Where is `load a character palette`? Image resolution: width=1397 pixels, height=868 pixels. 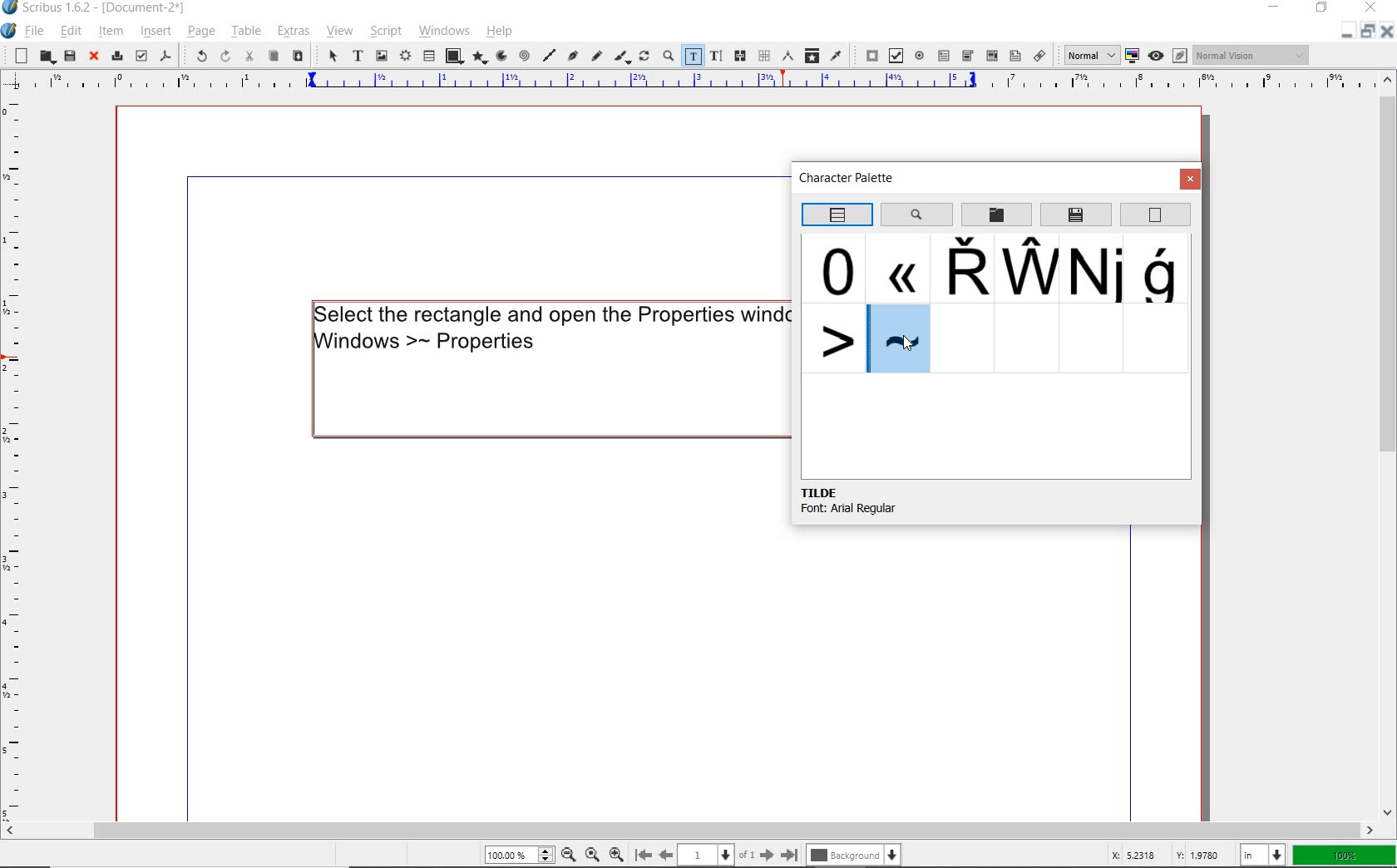
load a character palette is located at coordinates (996, 215).